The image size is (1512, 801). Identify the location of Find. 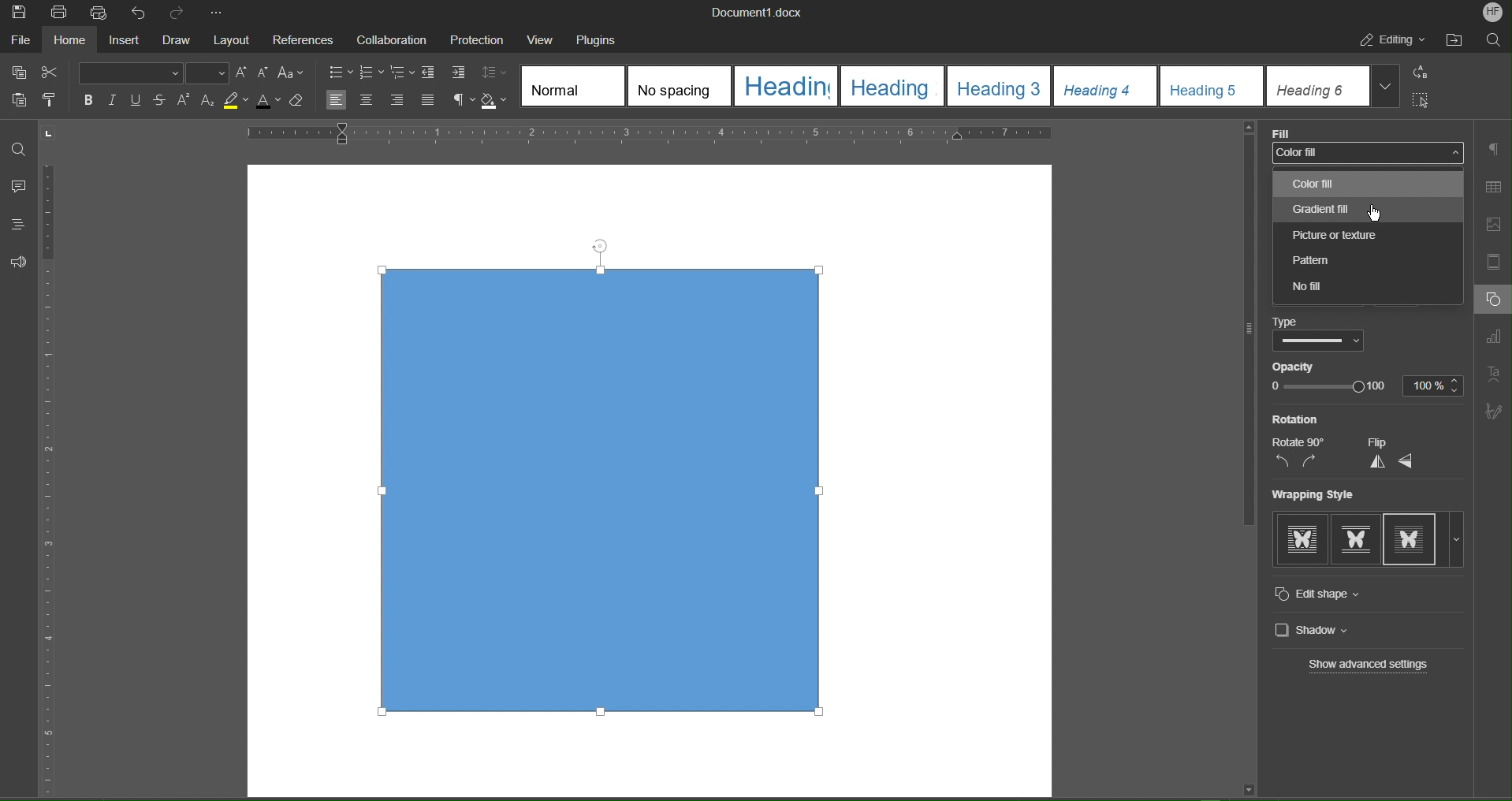
(20, 143).